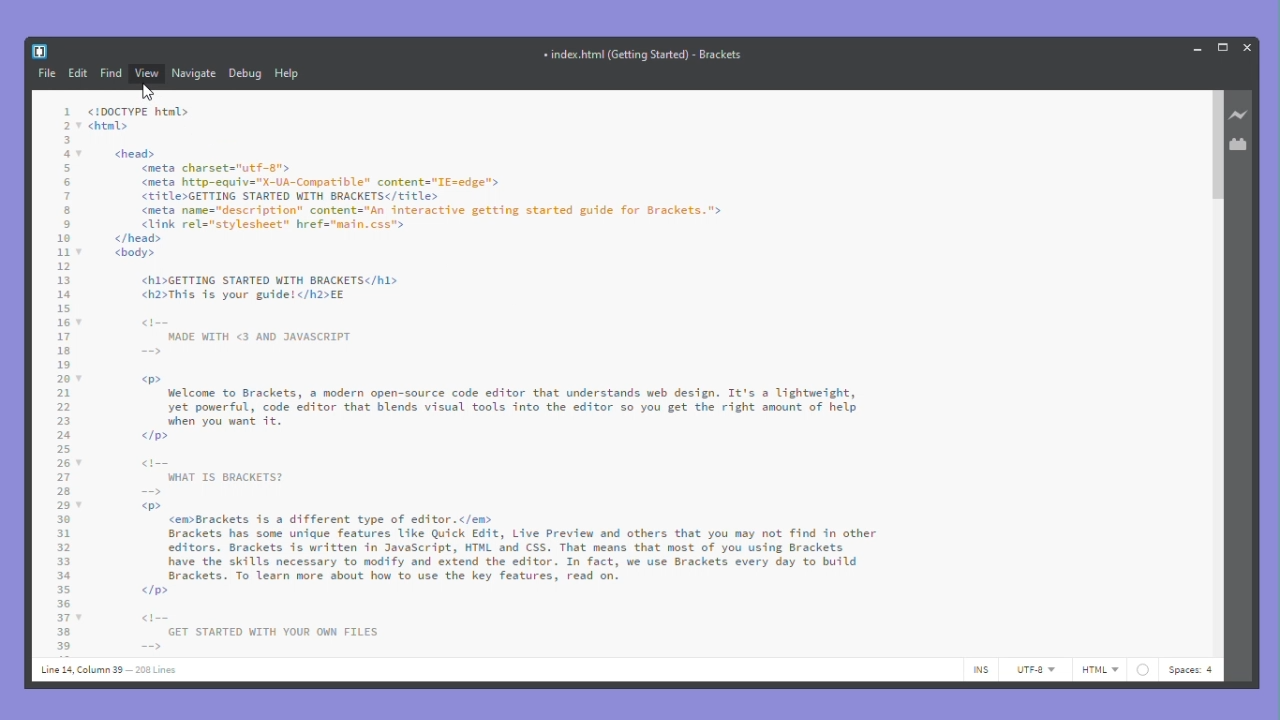 This screenshot has width=1280, height=720. Describe the element at coordinates (46, 73) in the screenshot. I see `File` at that location.